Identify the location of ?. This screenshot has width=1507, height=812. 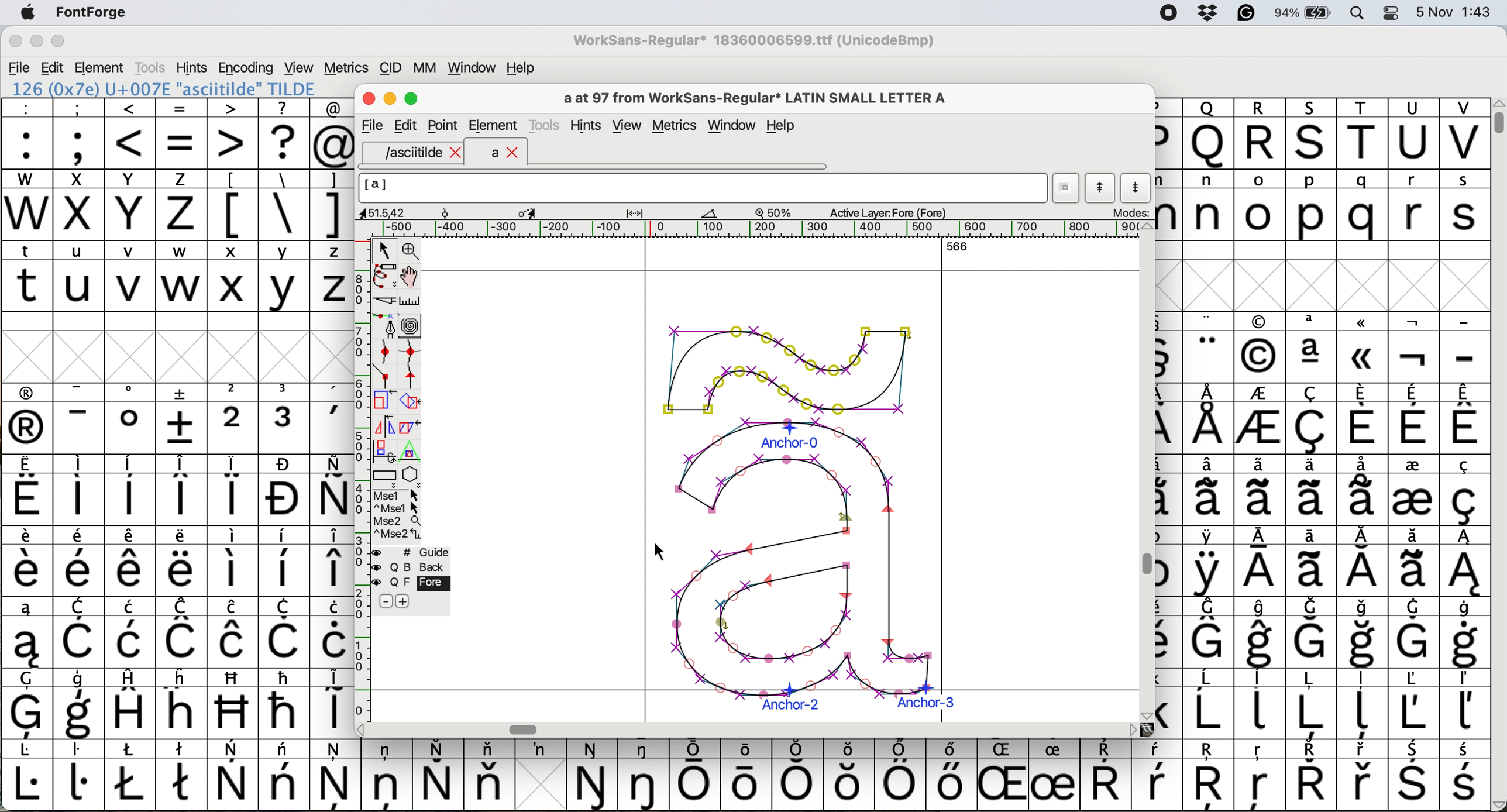
(284, 133).